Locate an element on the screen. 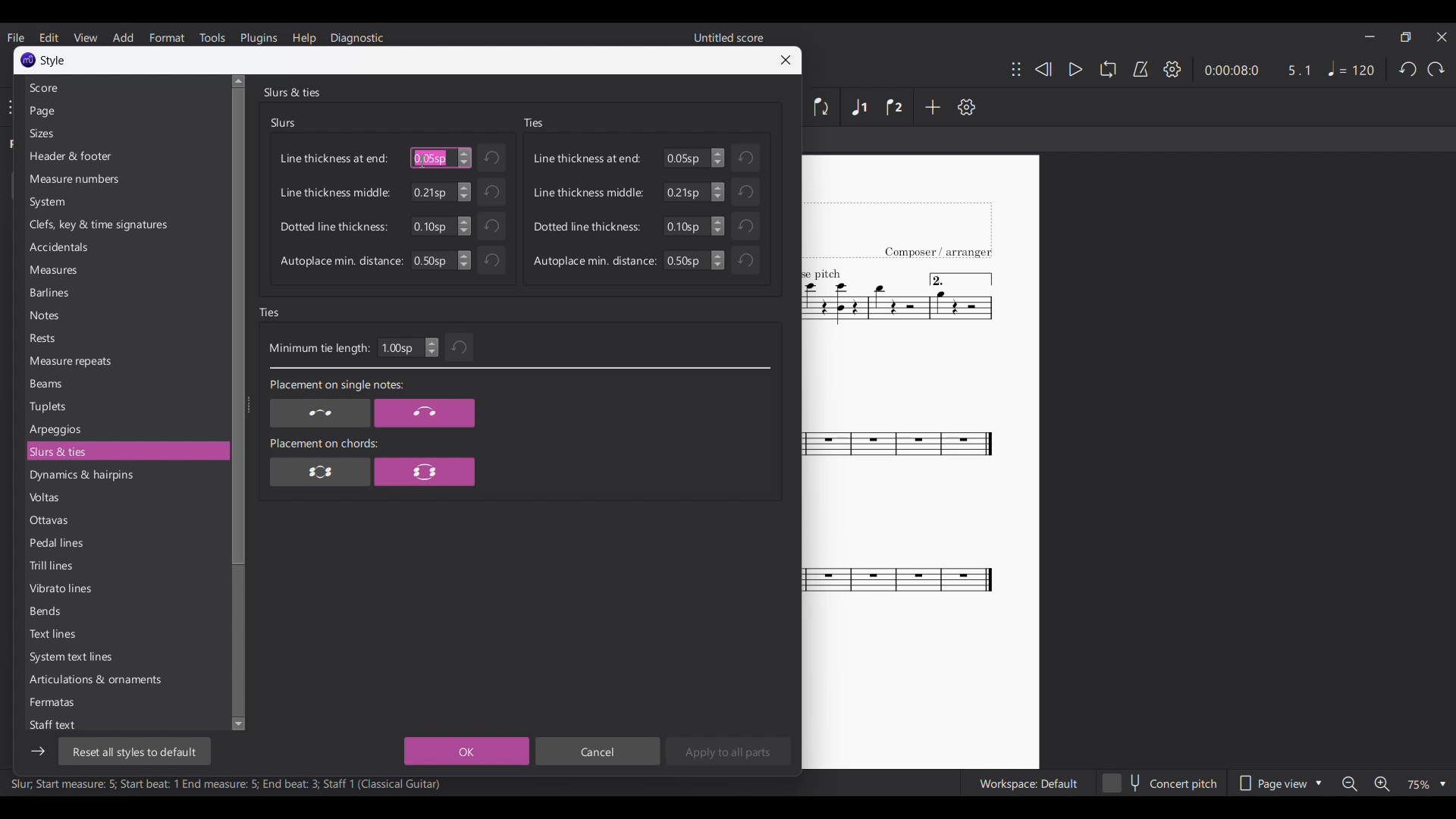  Close window is located at coordinates (786, 60).